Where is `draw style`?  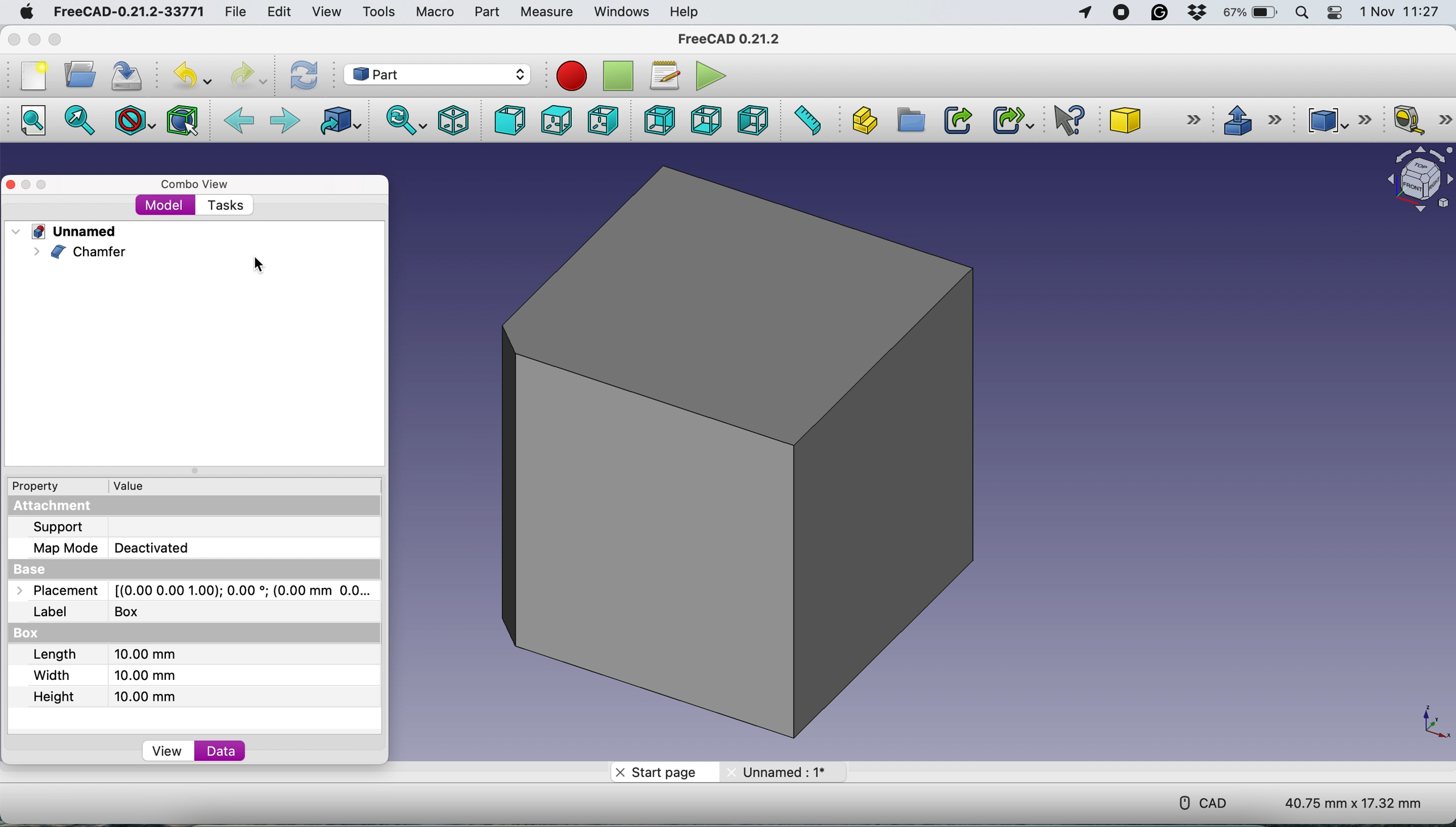
draw style is located at coordinates (133, 120).